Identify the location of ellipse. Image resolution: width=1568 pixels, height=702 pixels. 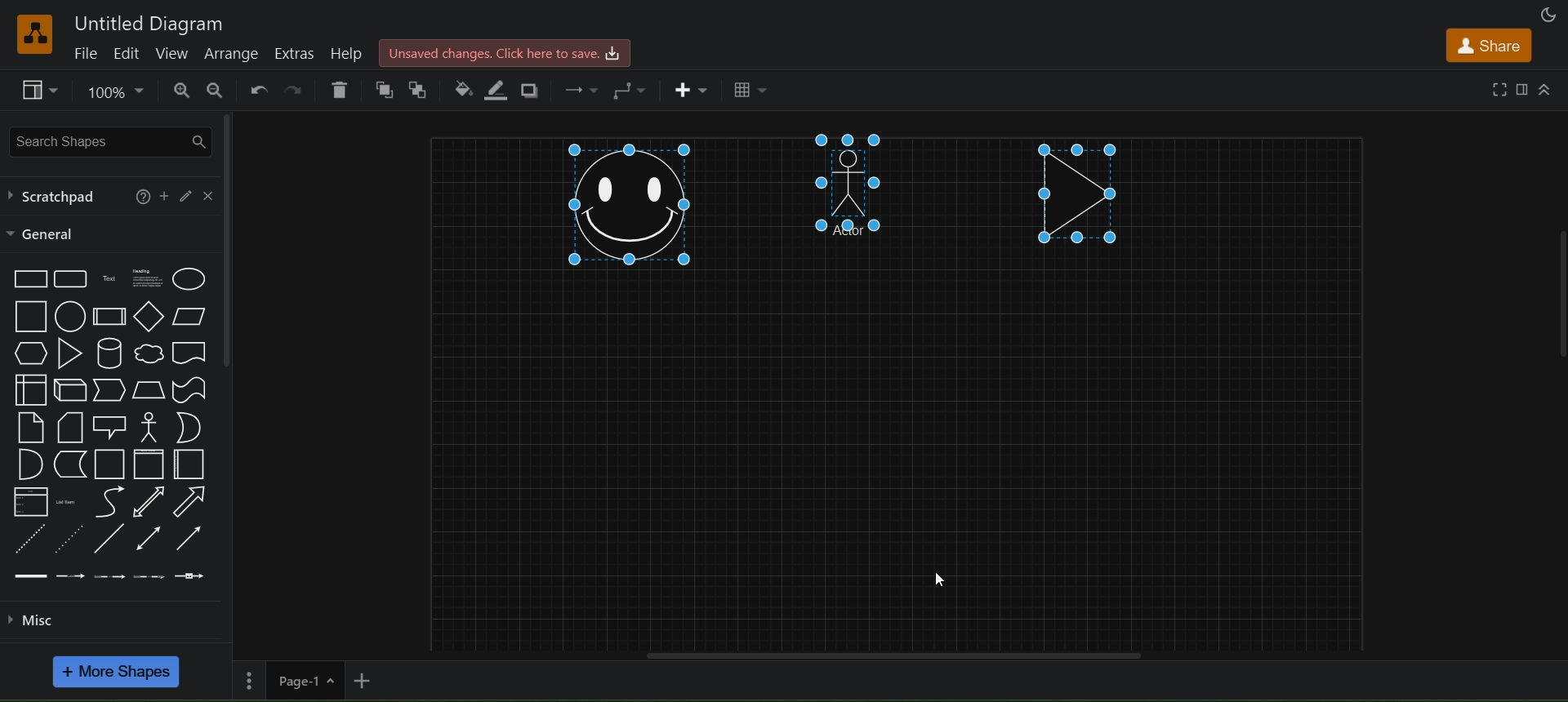
(188, 279).